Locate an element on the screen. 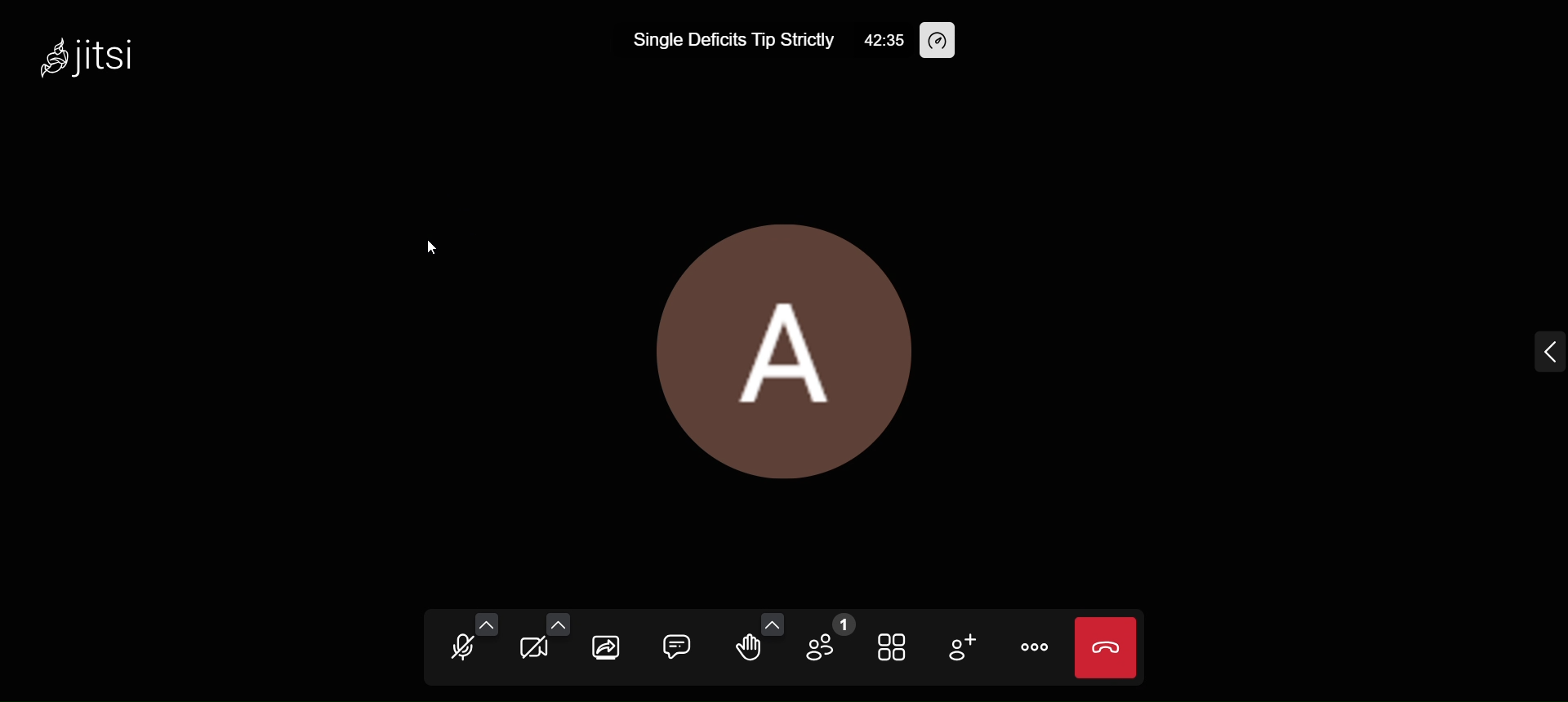 The width and height of the screenshot is (1568, 702). display picture is located at coordinates (792, 344).